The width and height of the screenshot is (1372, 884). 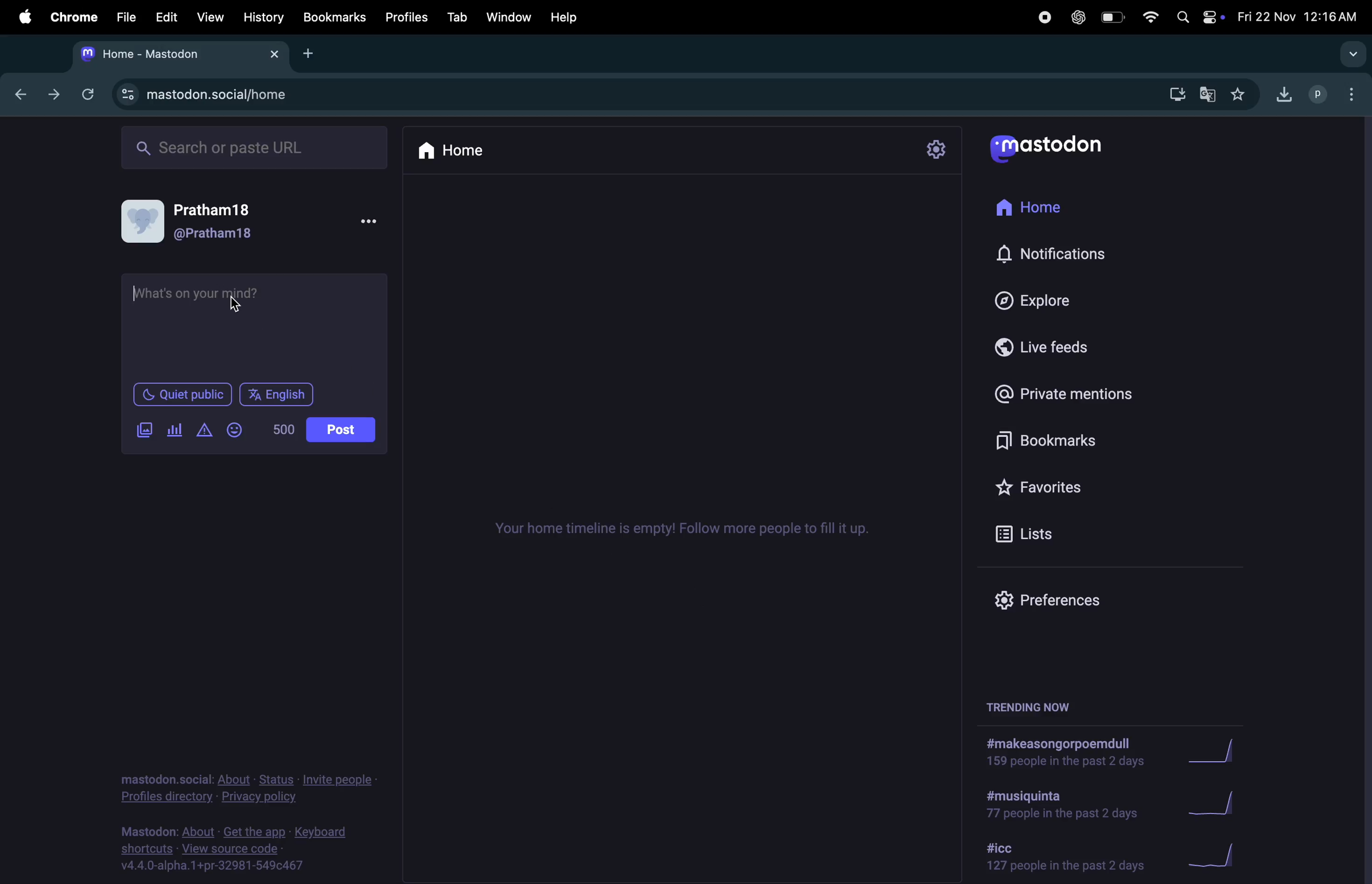 What do you see at coordinates (173, 429) in the screenshot?
I see `poles` at bounding box center [173, 429].